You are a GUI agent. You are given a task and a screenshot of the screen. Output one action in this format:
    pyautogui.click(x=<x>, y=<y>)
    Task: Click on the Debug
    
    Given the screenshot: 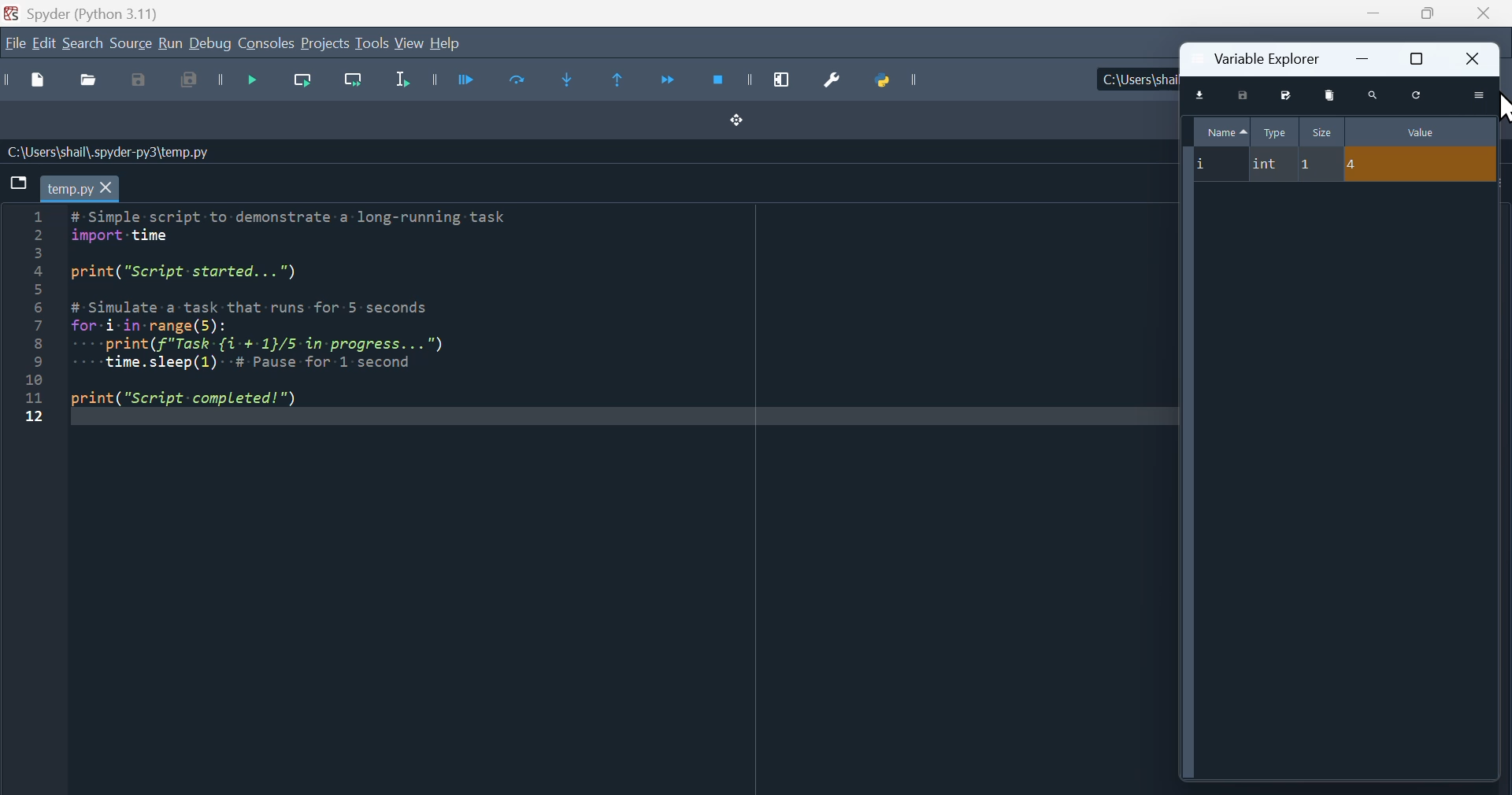 What is the action you would take?
    pyautogui.click(x=210, y=44)
    